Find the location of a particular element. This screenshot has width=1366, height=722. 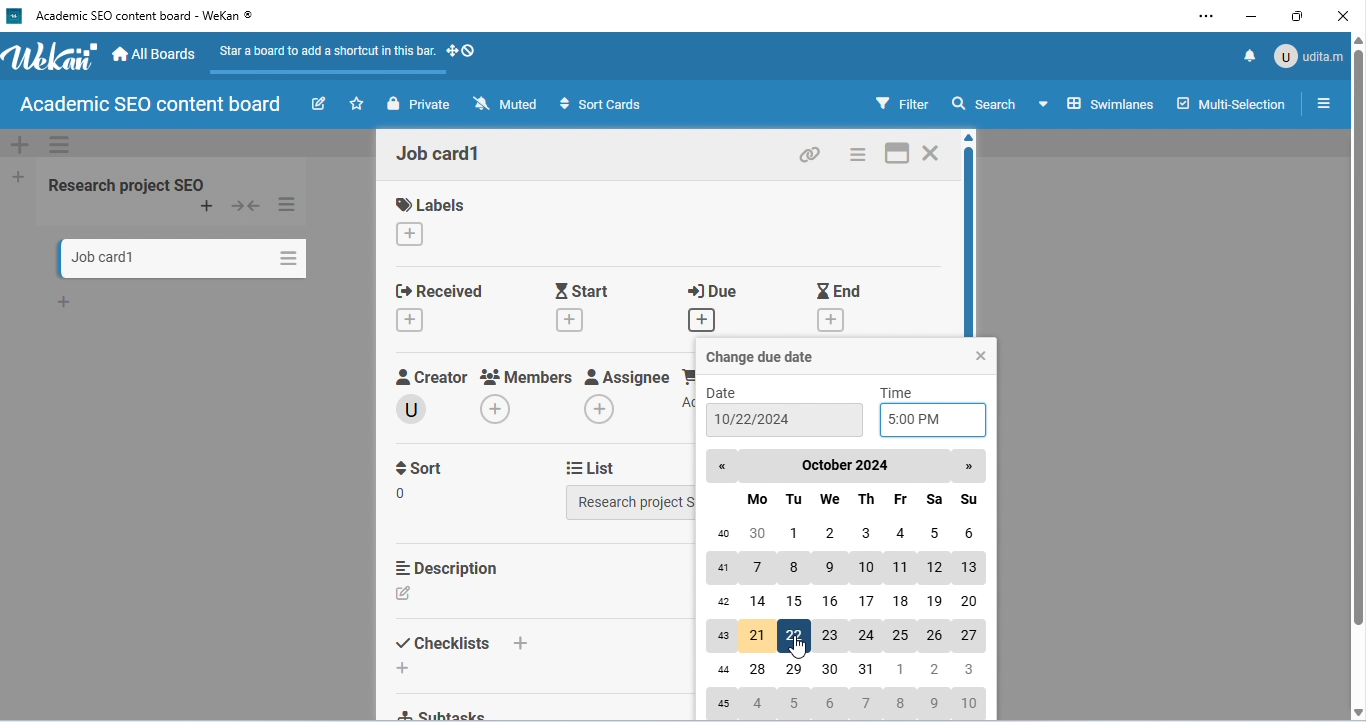

add card to top of list is located at coordinates (210, 207).